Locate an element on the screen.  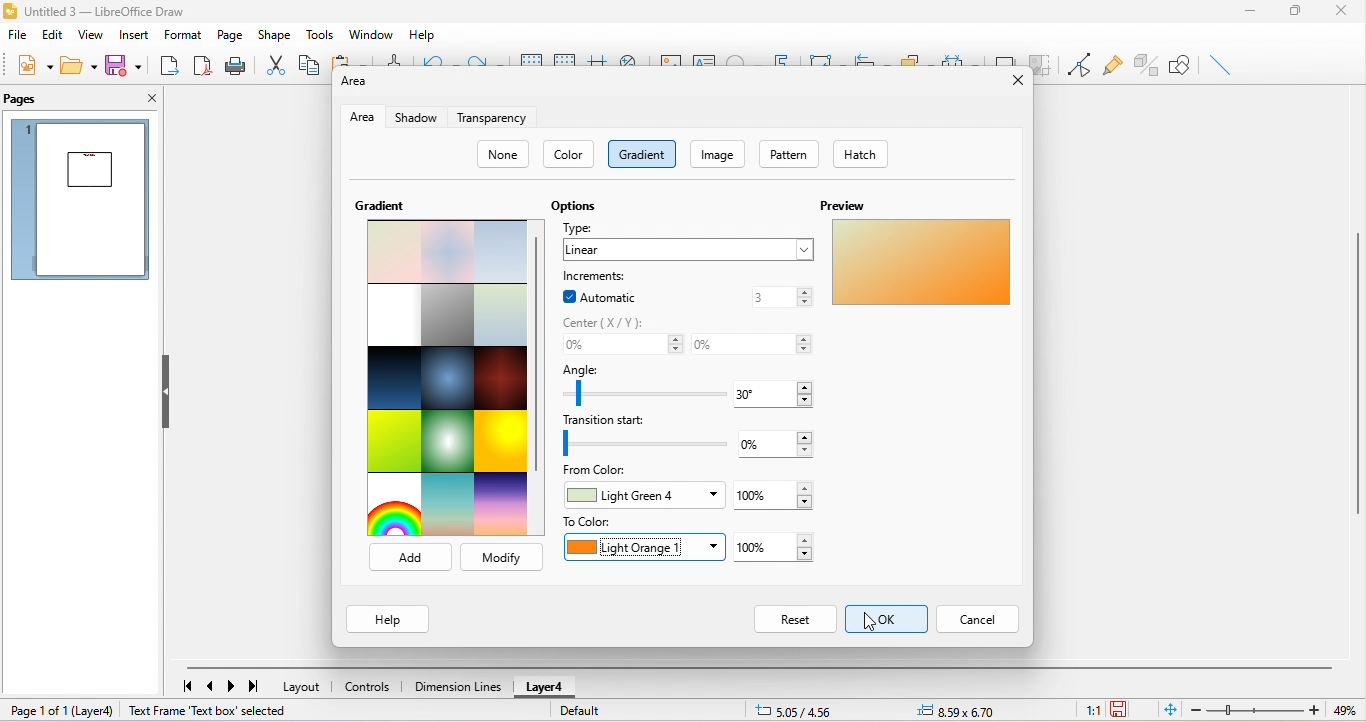
last page is located at coordinates (259, 689).